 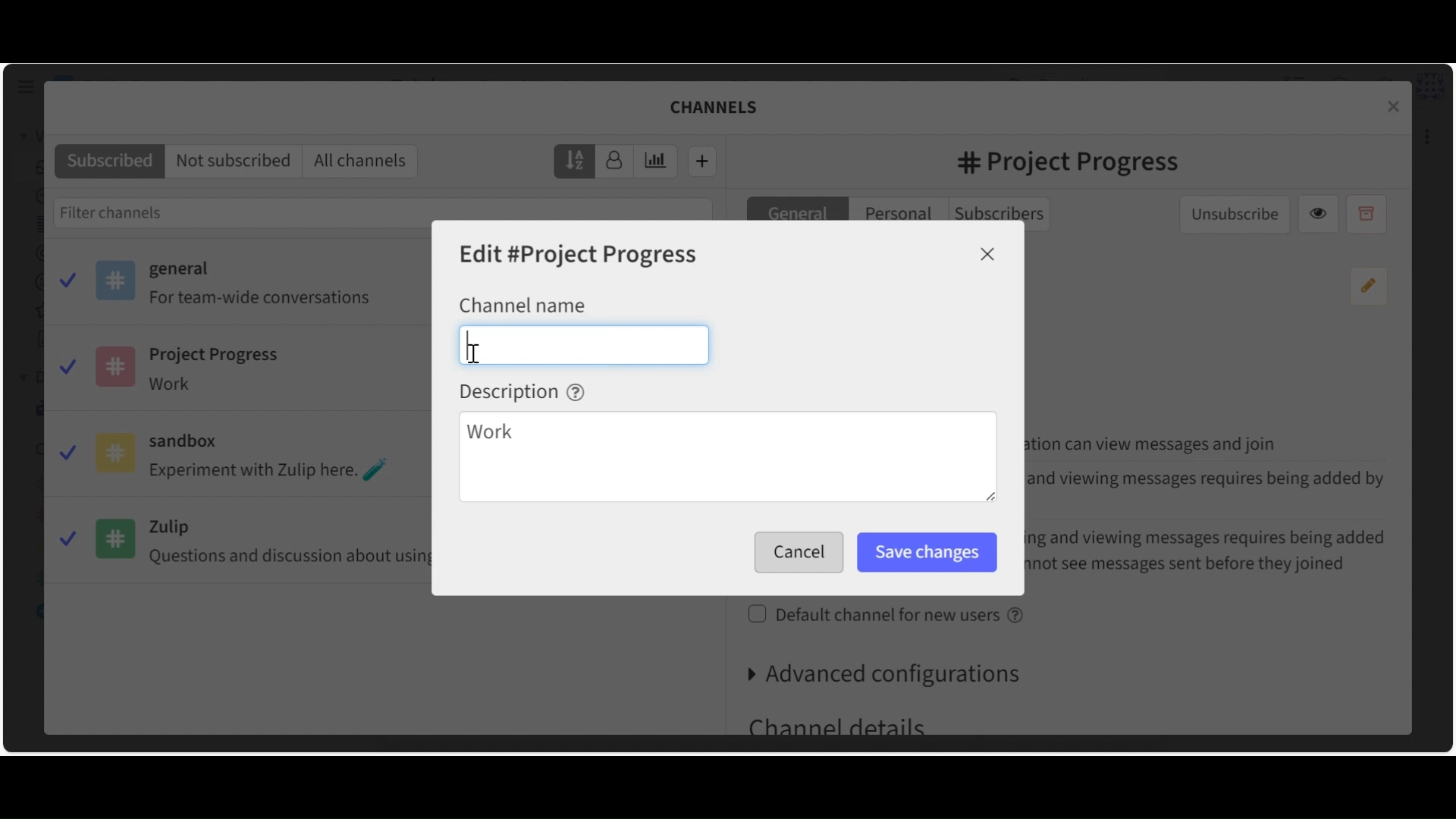 What do you see at coordinates (927, 553) in the screenshot?
I see `Save Changes` at bounding box center [927, 553].